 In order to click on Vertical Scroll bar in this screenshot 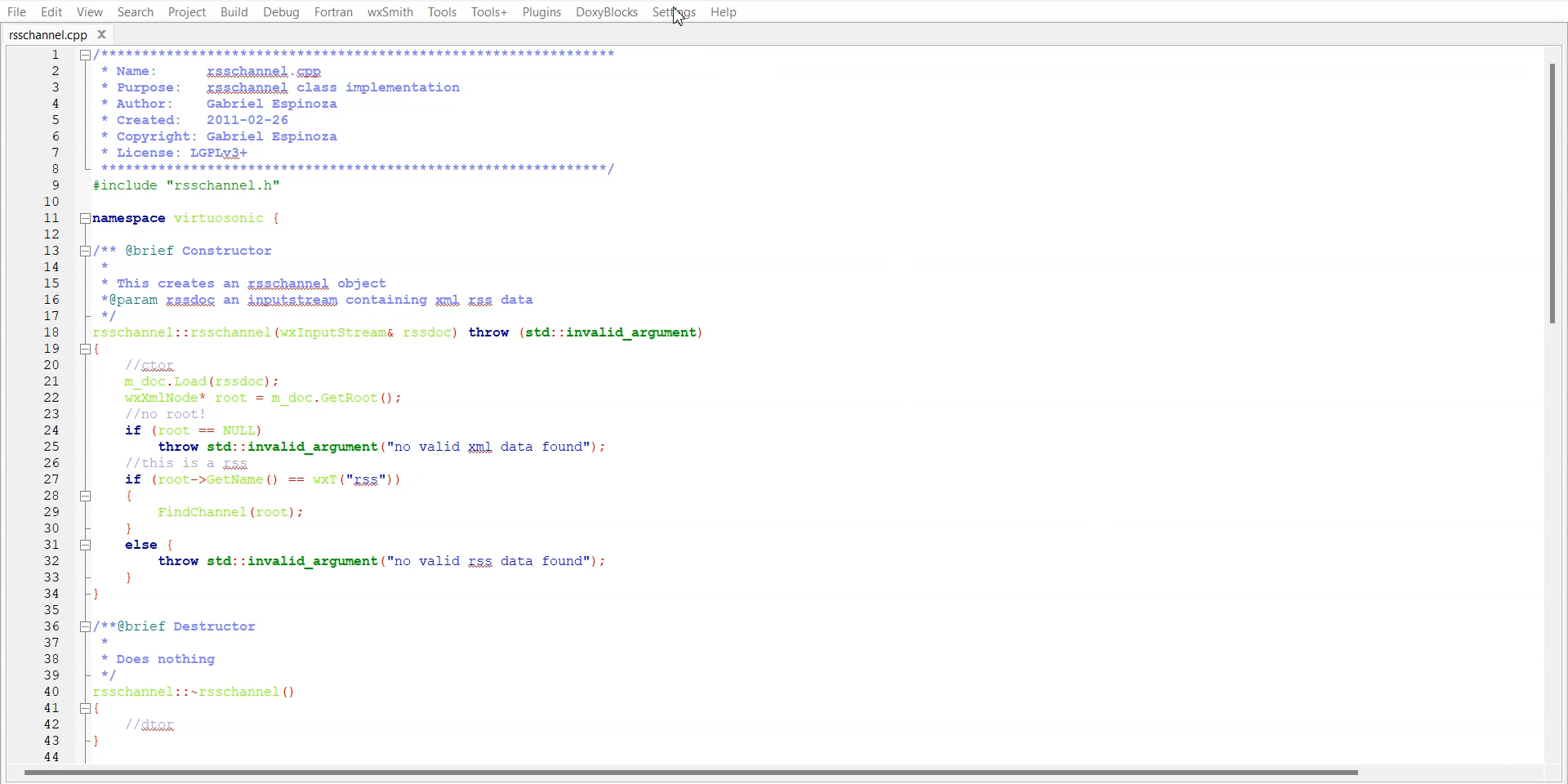, I will do `click(1558, 405)`.